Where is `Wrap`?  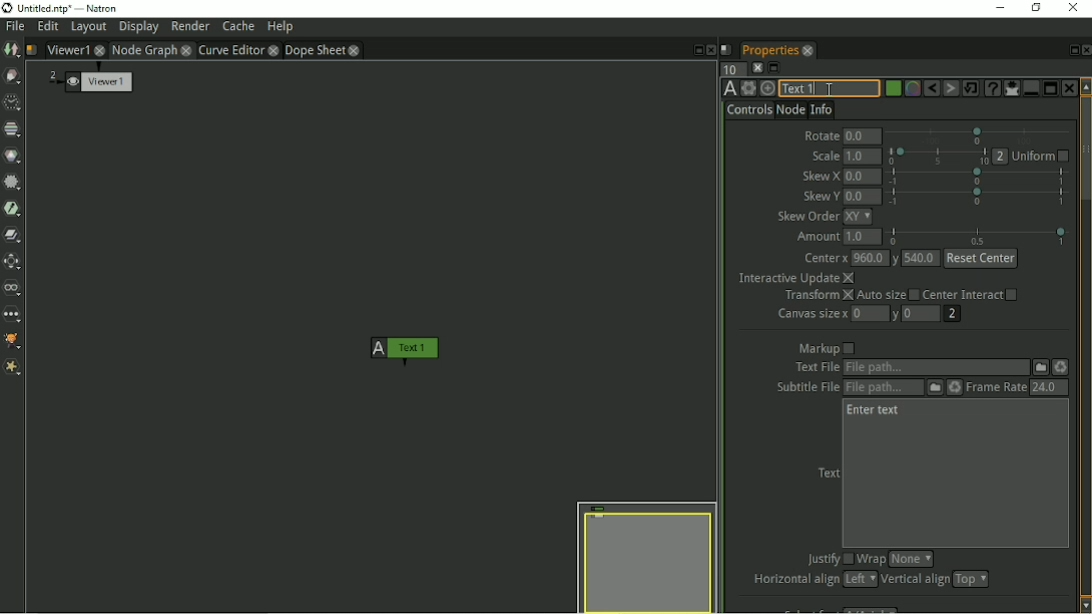 Wrap is located at coordinates (871, 558).